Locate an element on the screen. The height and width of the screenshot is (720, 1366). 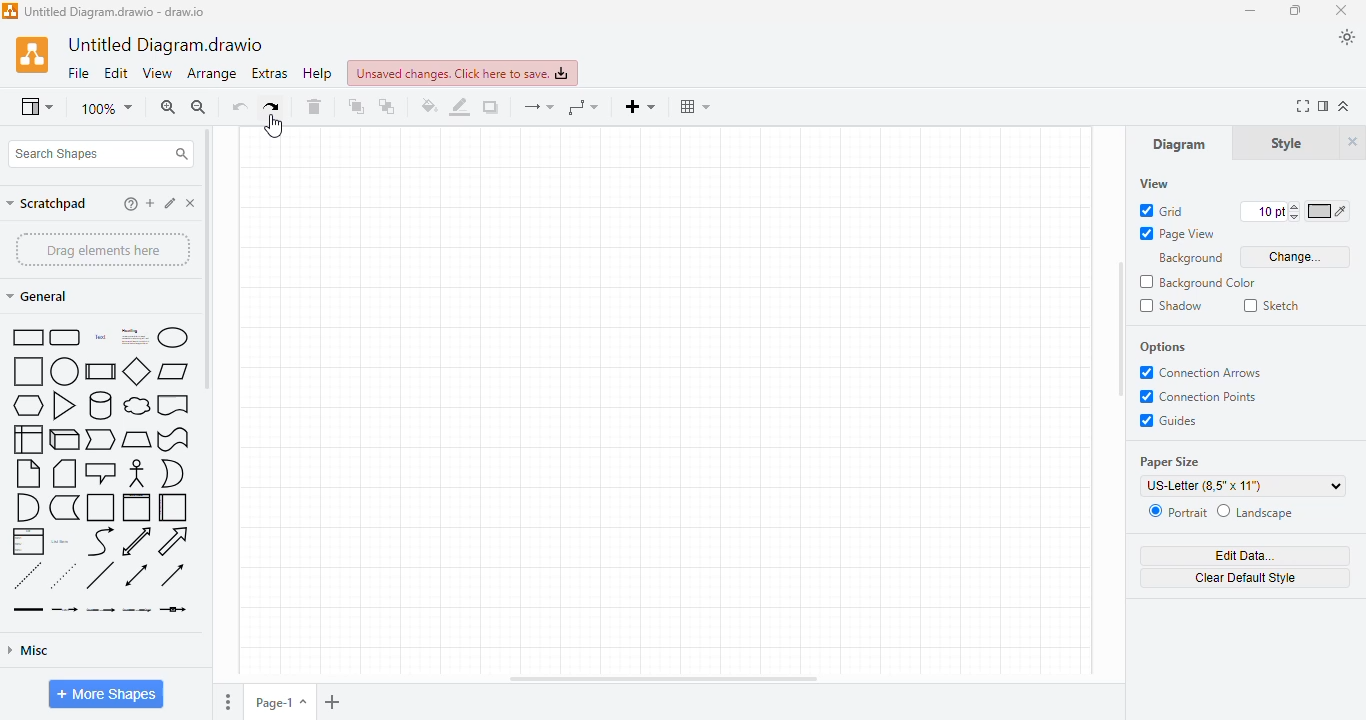
internal storage is located at coordinates (26, 440).